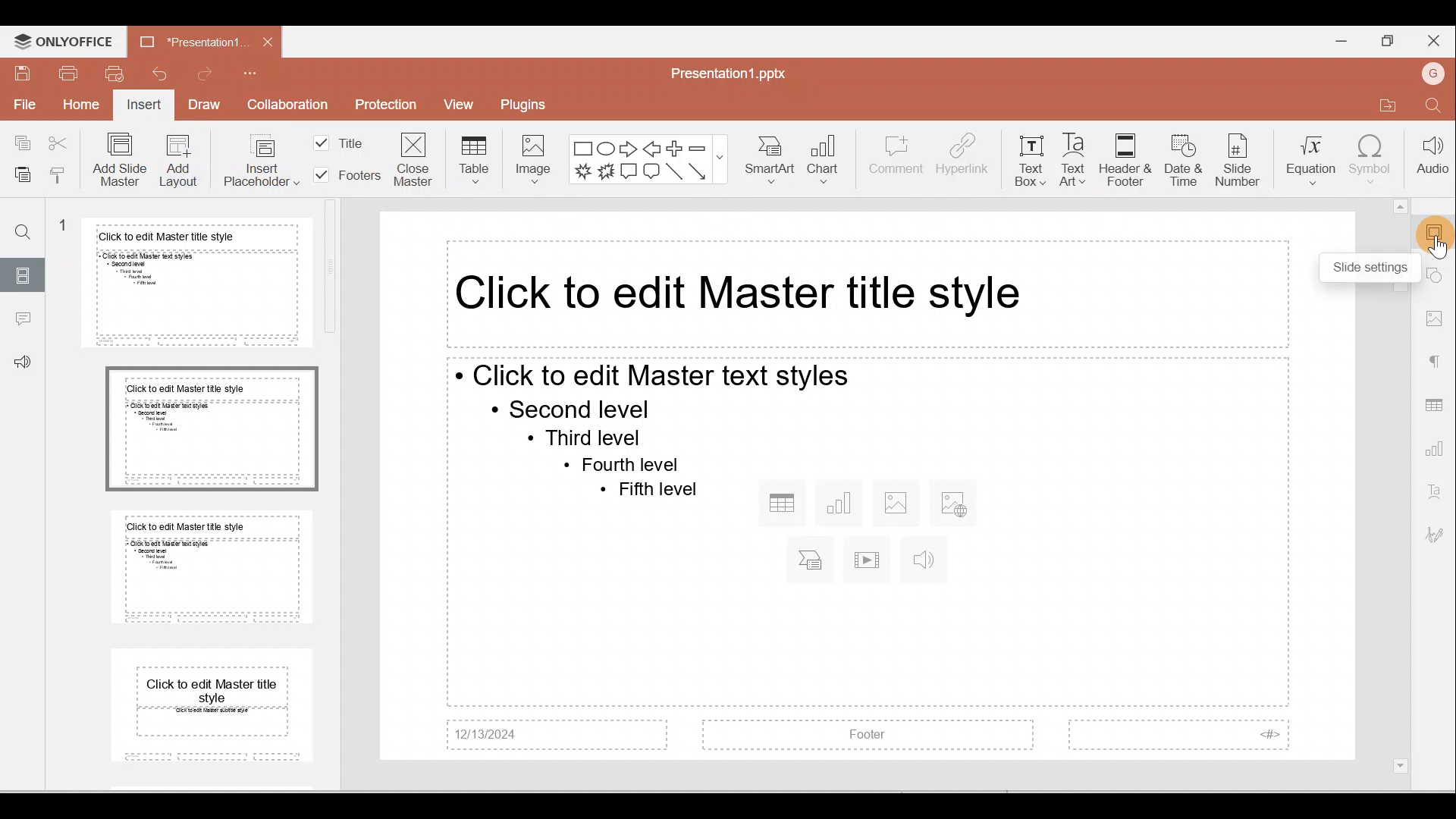 This screenshot has height=819, width=1456. What do you see at coordinates (344, 175) in the screenshot?
I see `Footers` at bounding box center [344, 175].